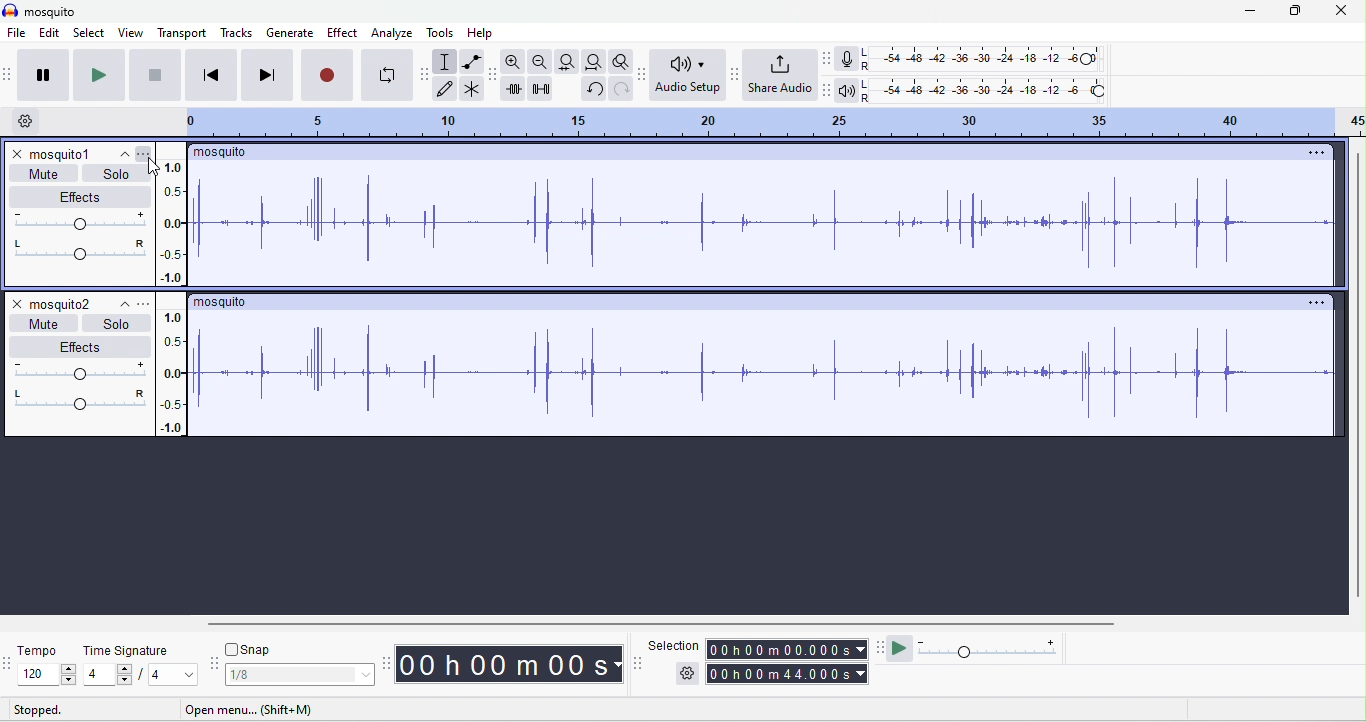  I want to click on fit to track width, so click(567, 61).